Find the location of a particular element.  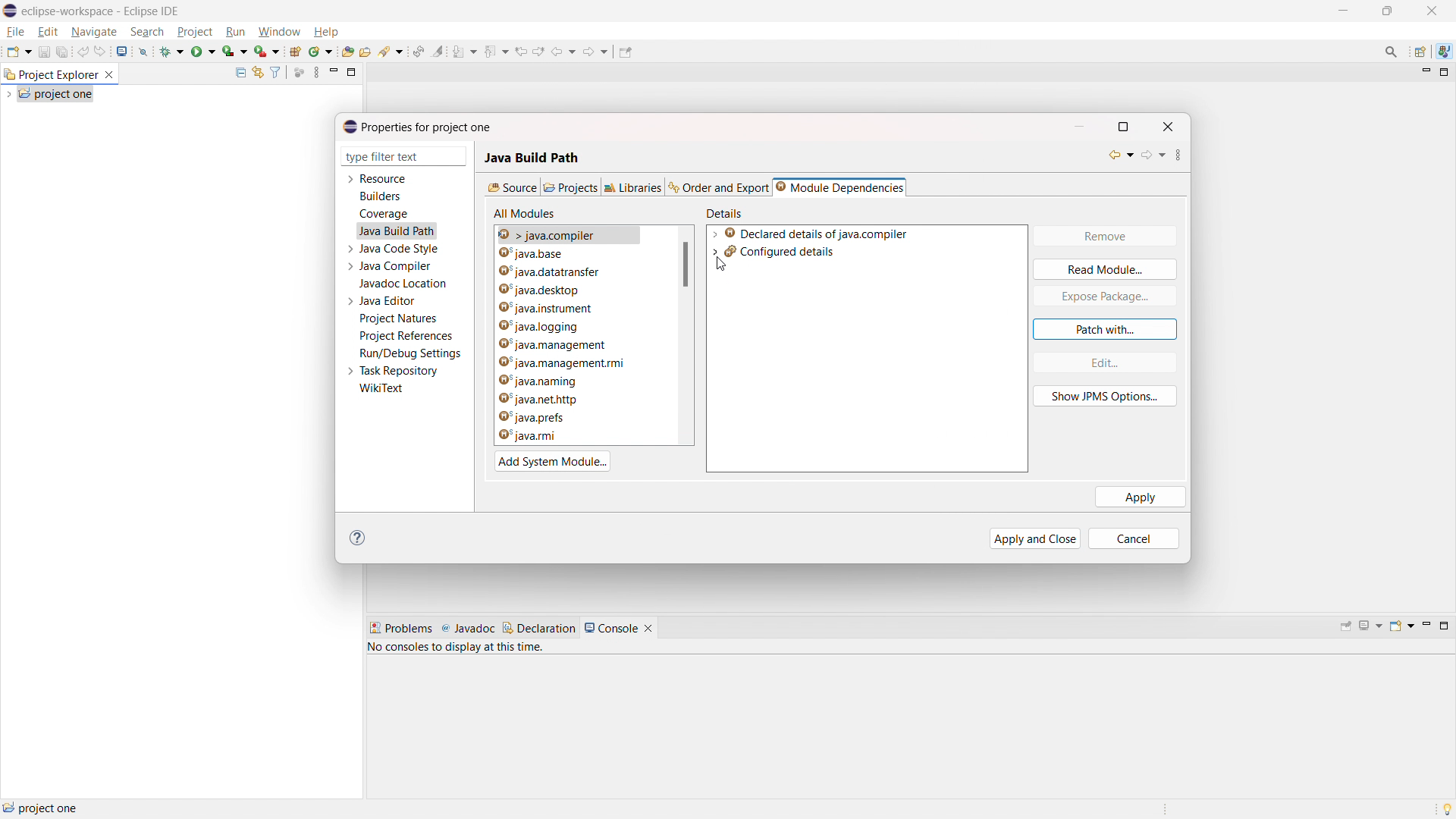

project natures is located at coordinates (399, 318).